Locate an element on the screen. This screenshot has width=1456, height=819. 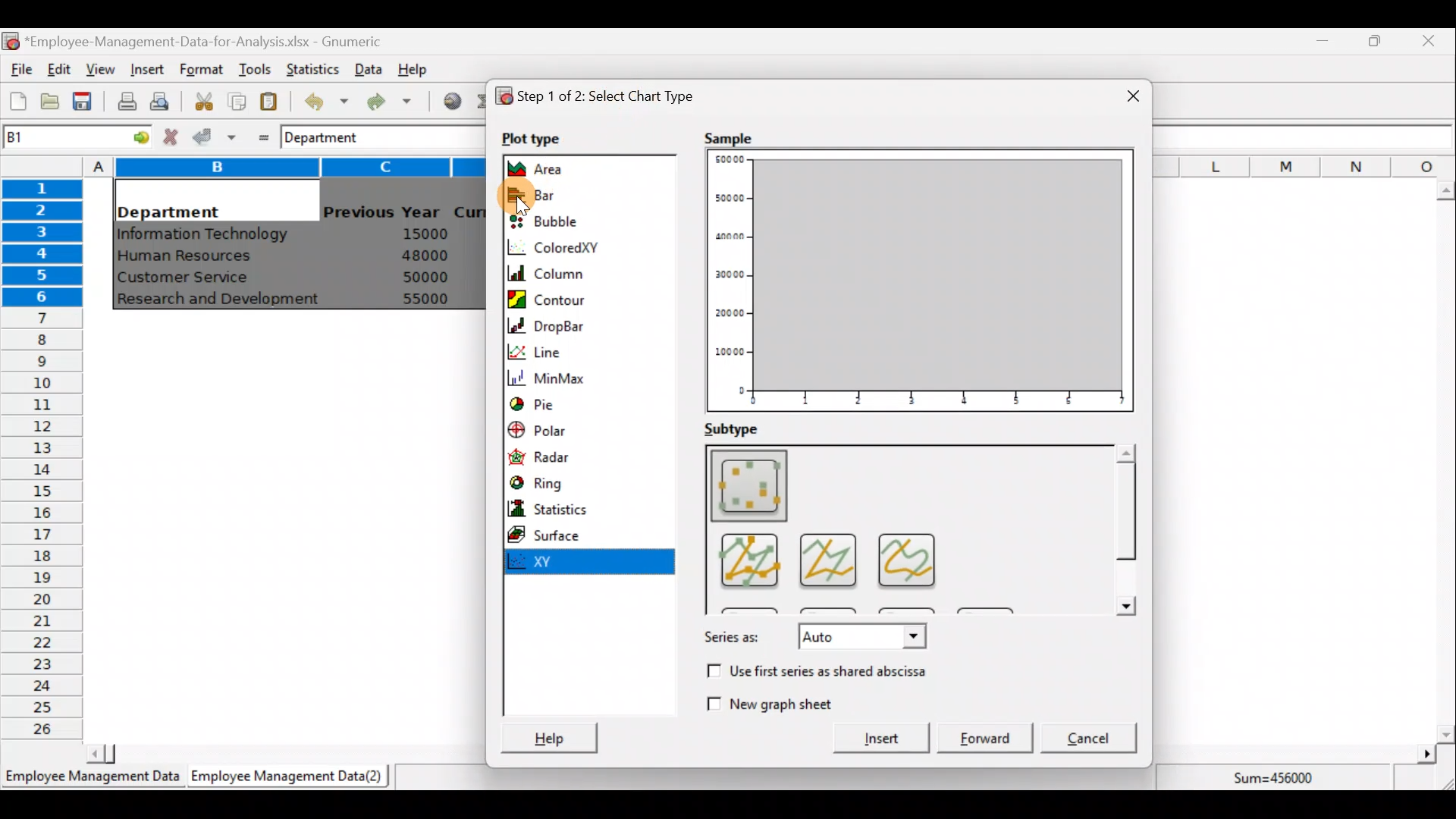
Bubble is located at coordinates (563, 223).